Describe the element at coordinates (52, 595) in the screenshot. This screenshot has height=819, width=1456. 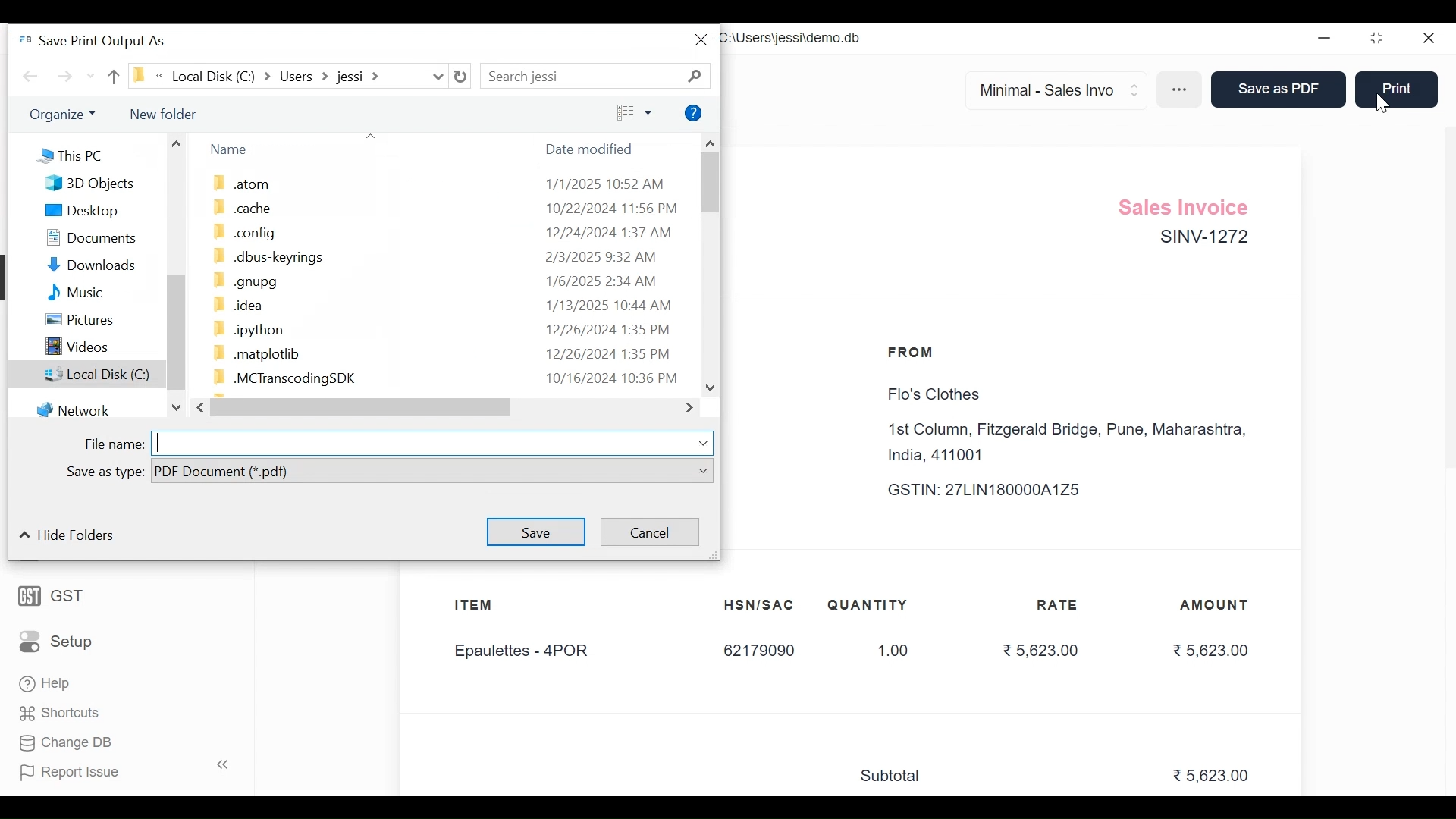
I see `GST` at that location.